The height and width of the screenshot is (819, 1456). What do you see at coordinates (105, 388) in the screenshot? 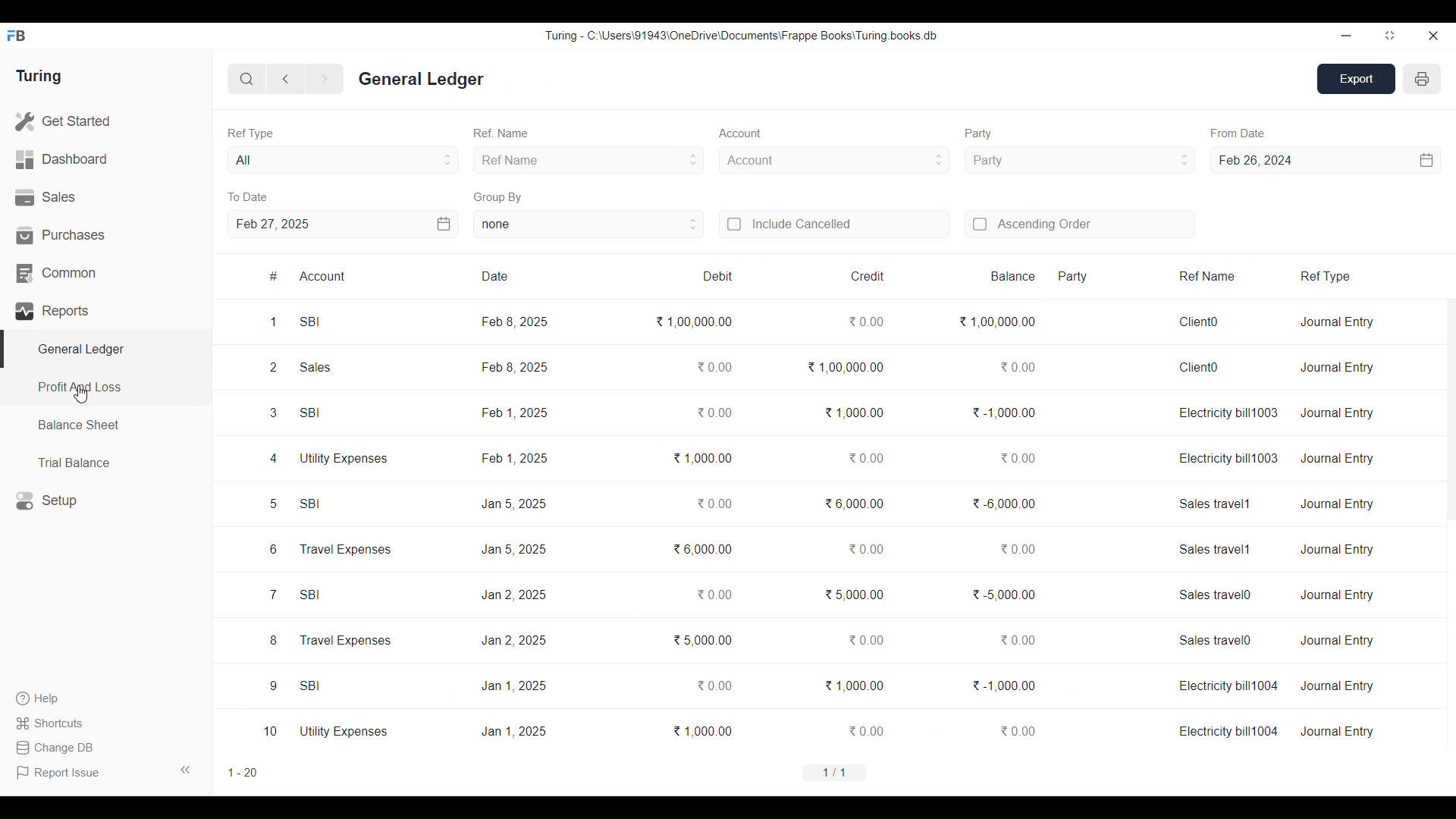
I see `Profit And Loss` at bounding box center [105, 388].